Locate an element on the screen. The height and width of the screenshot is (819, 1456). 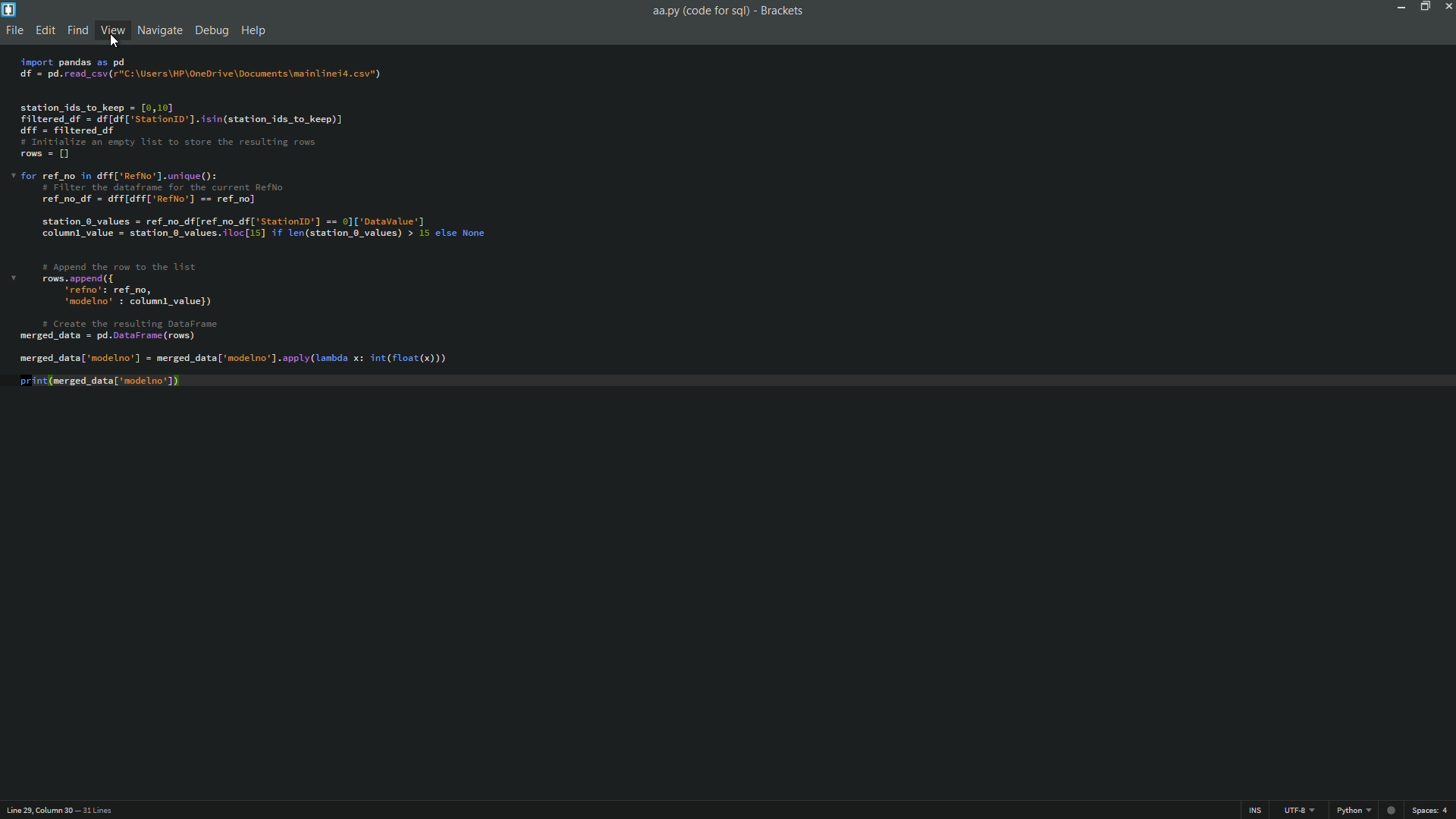
edit menu is located at coordinates (45, 29).